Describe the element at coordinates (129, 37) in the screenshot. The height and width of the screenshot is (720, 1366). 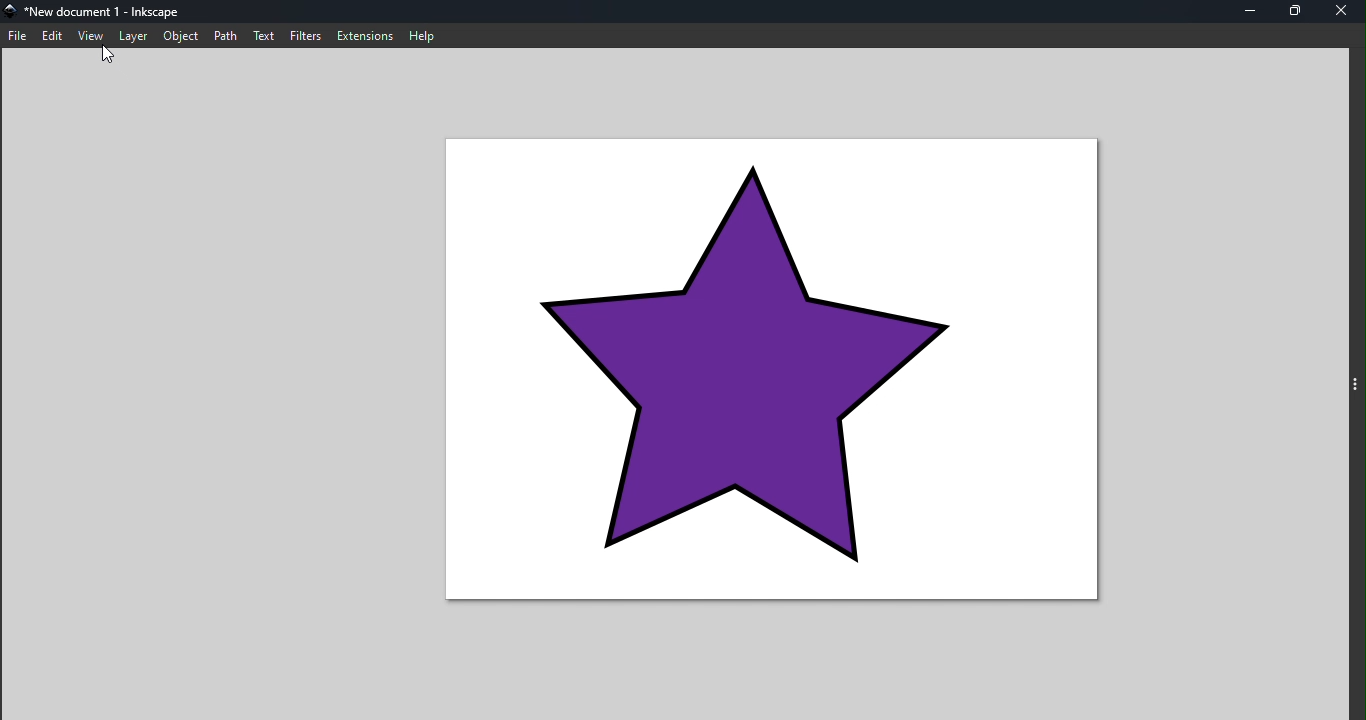
I see `Layer` at that location.